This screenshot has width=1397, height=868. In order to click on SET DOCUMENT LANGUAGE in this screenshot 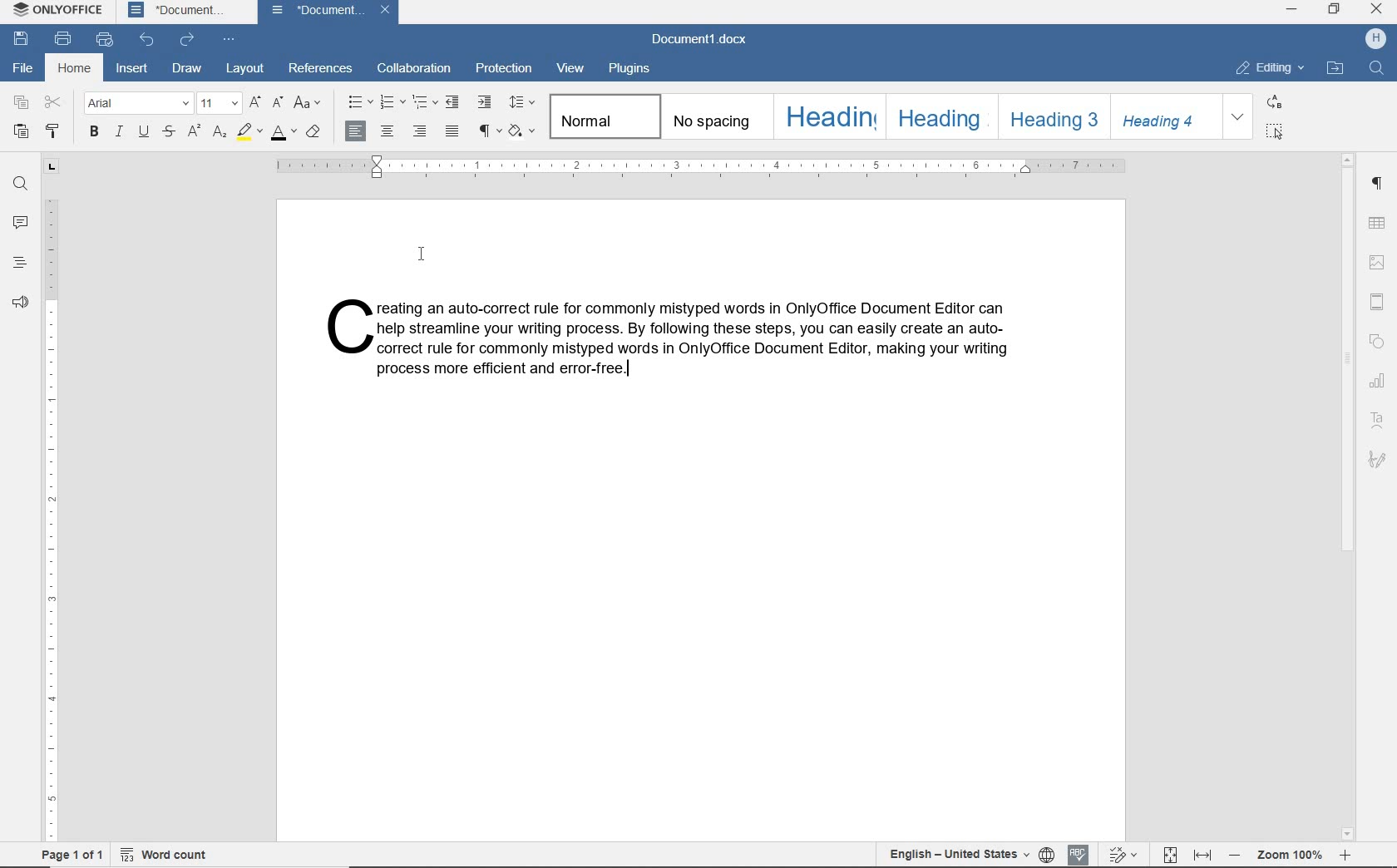, I will do `click(1047, 854)`.